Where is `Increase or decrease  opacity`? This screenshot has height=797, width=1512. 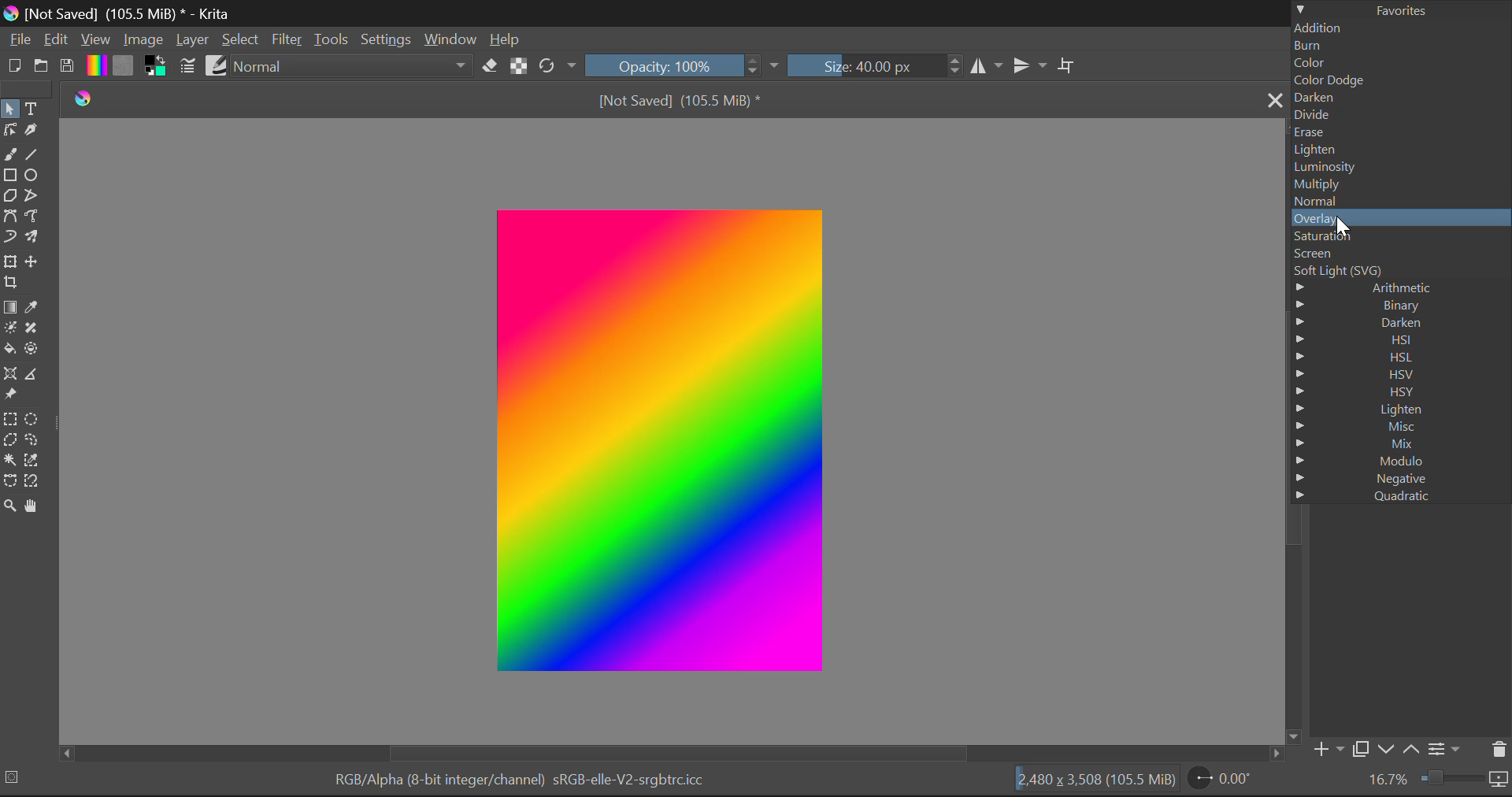 Increase or decrease  opacity is located at coordinates (754, 67).